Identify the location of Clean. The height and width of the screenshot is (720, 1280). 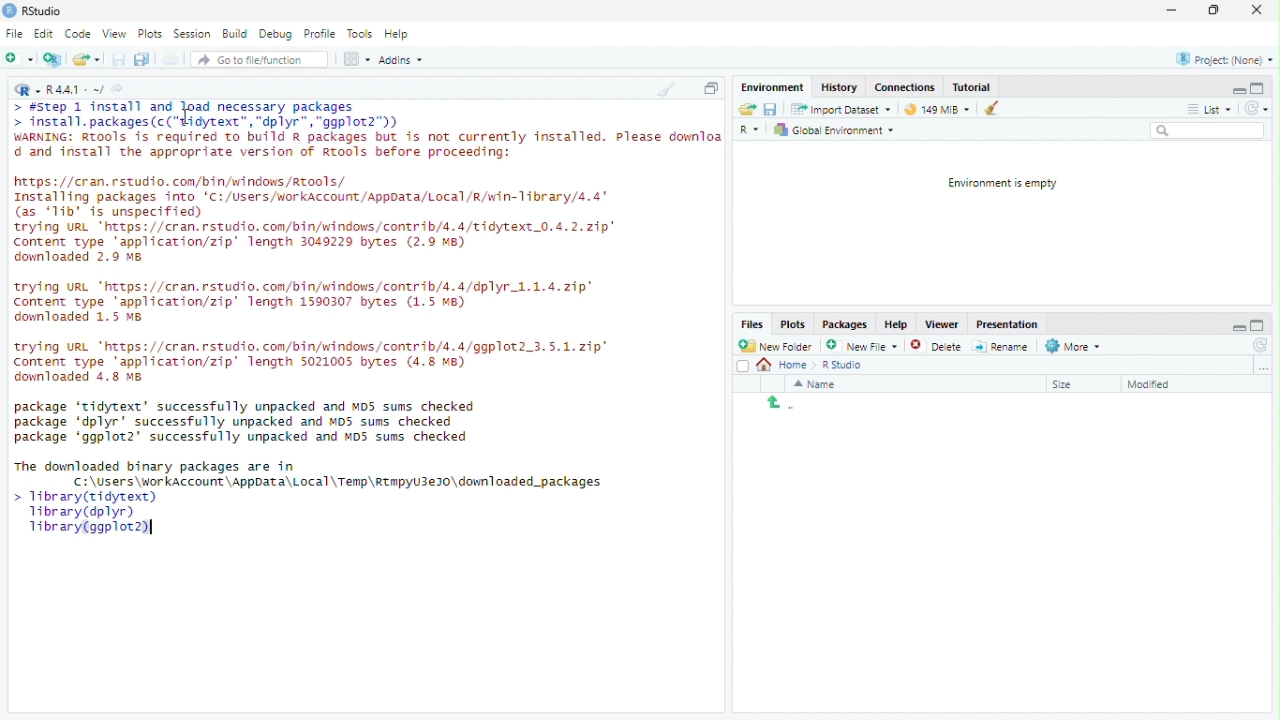
(665, 88).